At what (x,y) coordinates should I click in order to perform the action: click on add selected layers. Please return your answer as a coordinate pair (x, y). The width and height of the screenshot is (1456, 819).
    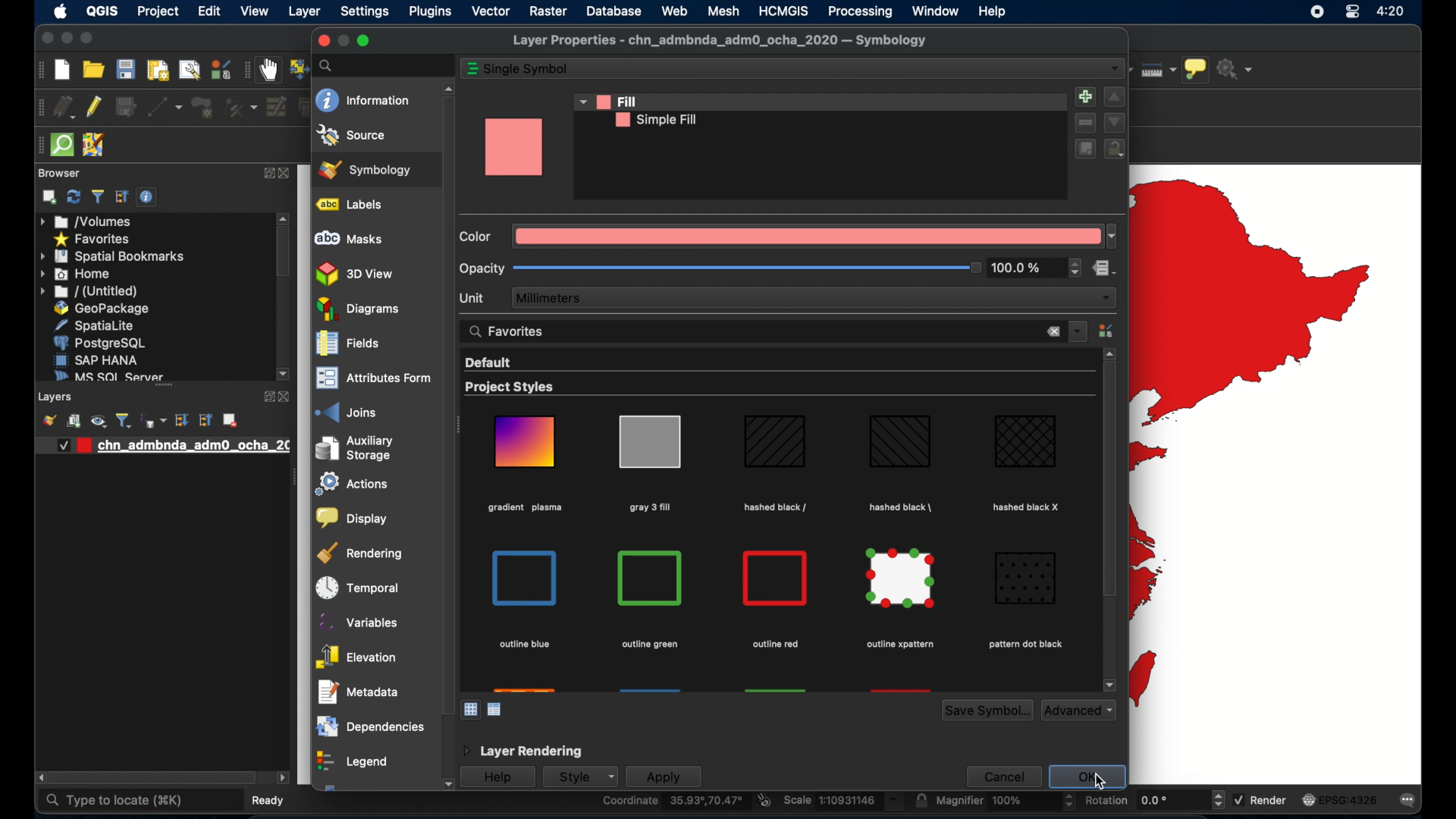
    Looking at the image, I should click on (49, 197).